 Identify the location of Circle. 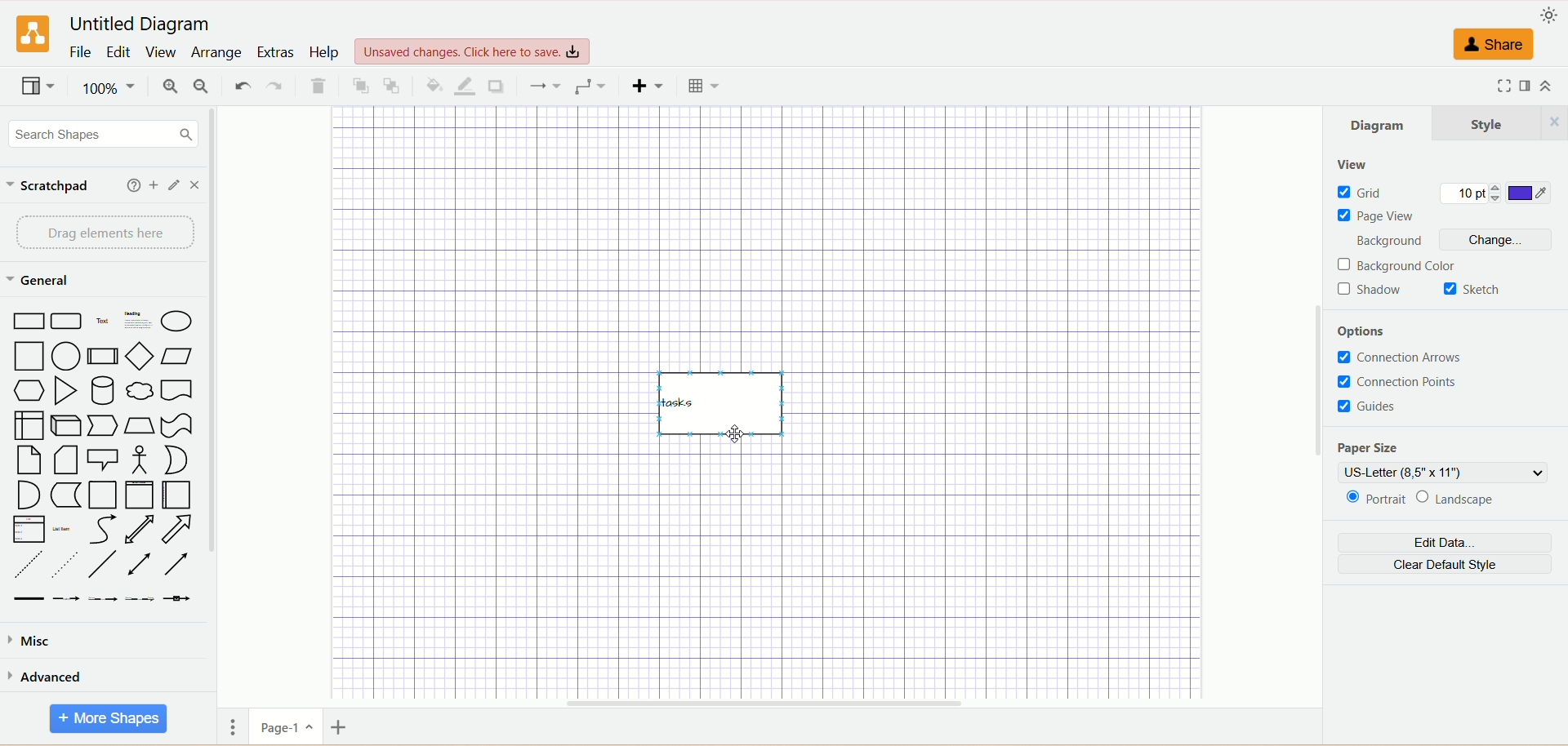
(67, 357).